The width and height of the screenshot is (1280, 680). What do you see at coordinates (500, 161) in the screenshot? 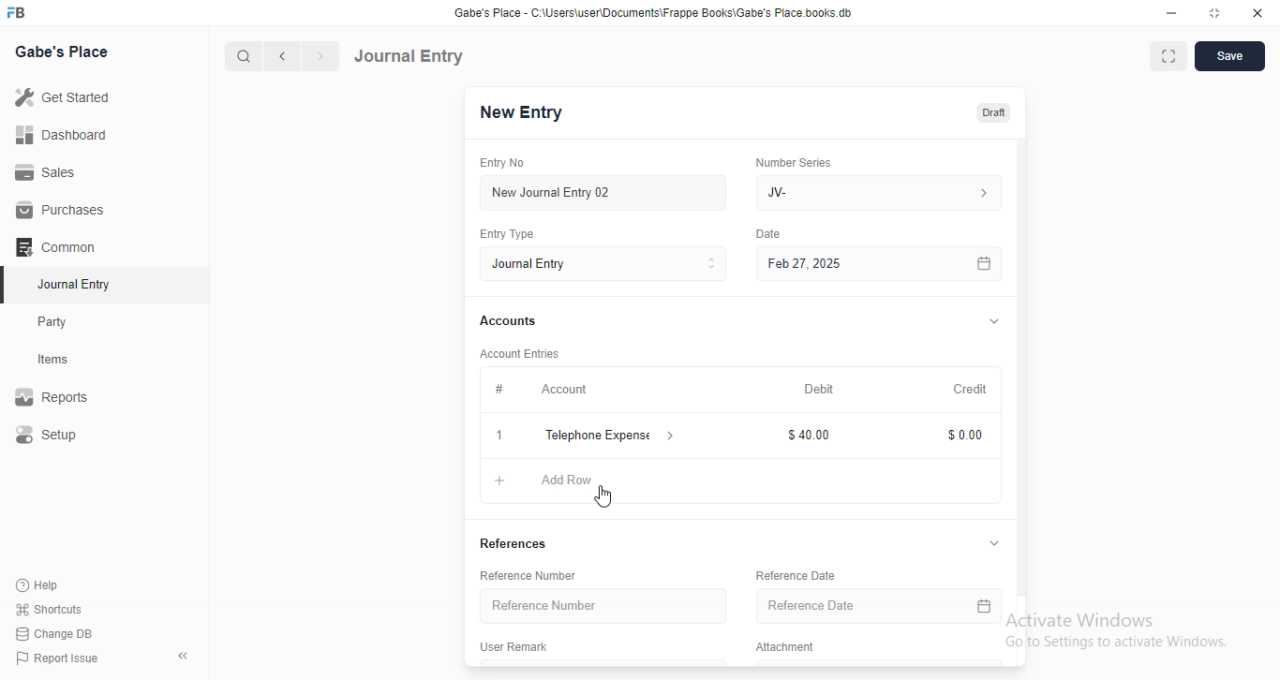
I see `Entry No` at bounding box center [500, 161].